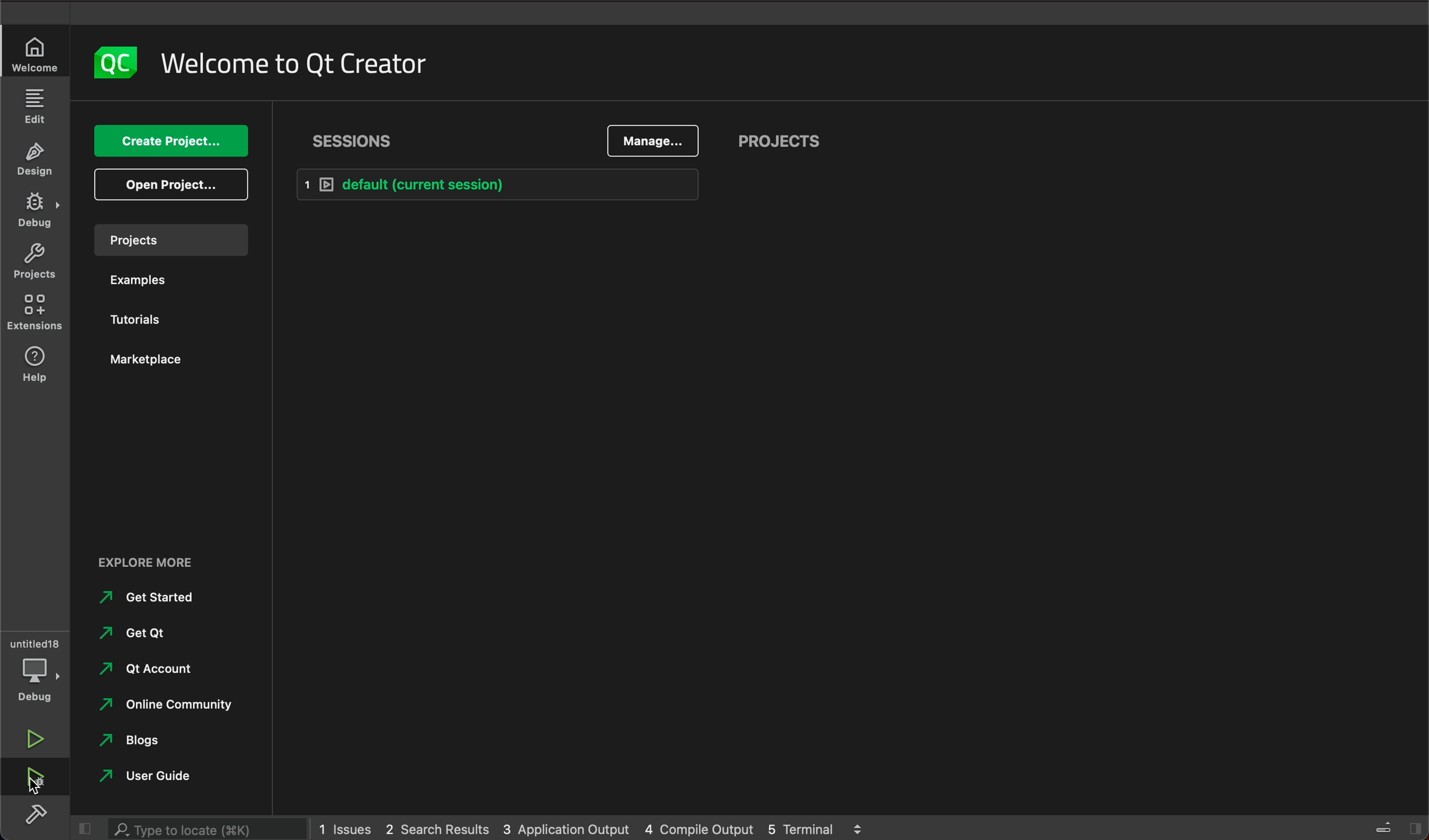  I want to click on Qt Account, so click(154, 671).